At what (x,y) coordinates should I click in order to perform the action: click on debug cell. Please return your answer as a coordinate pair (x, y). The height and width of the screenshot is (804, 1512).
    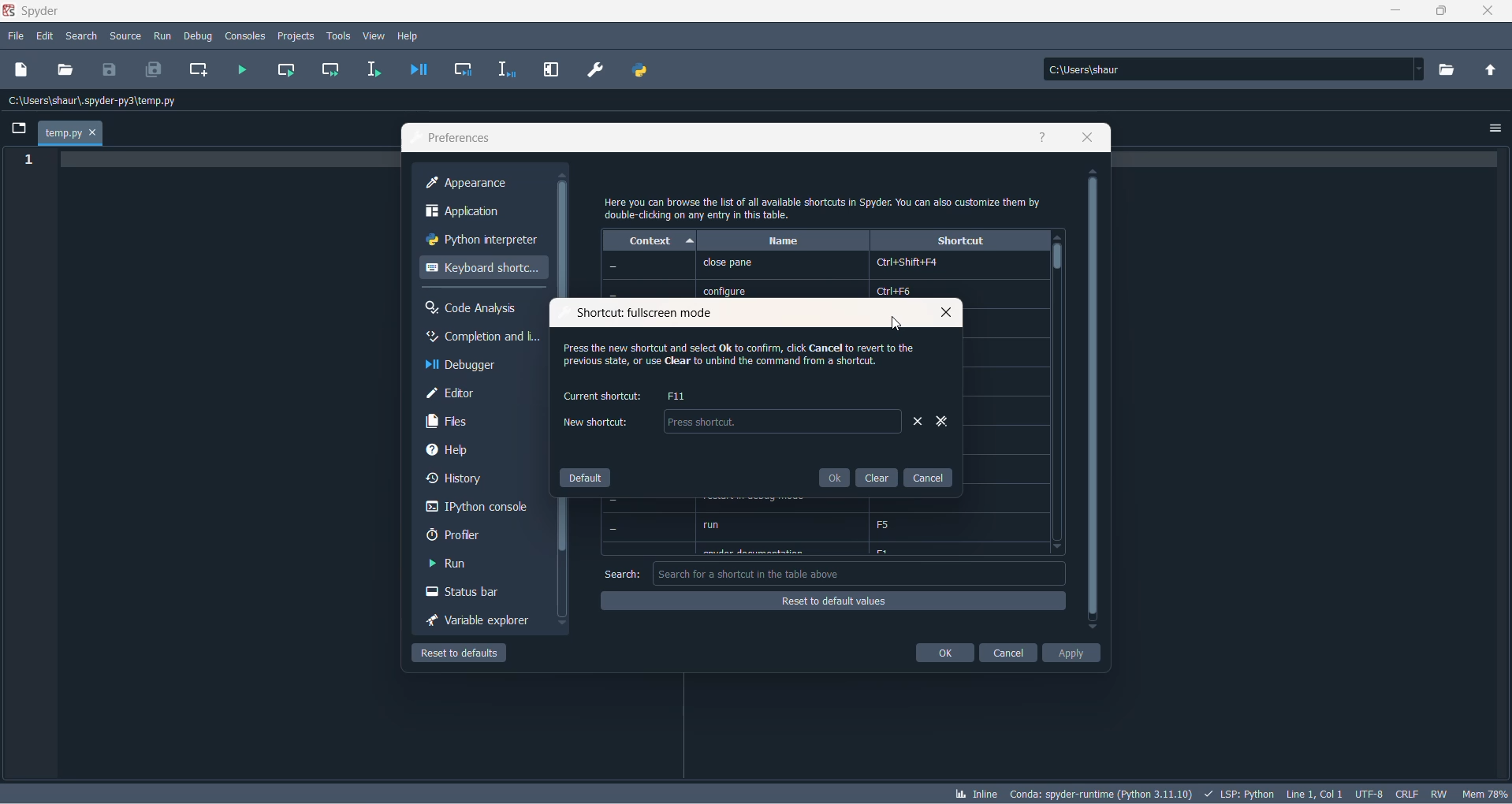
    Looking at the image, I should click on (464, 71).